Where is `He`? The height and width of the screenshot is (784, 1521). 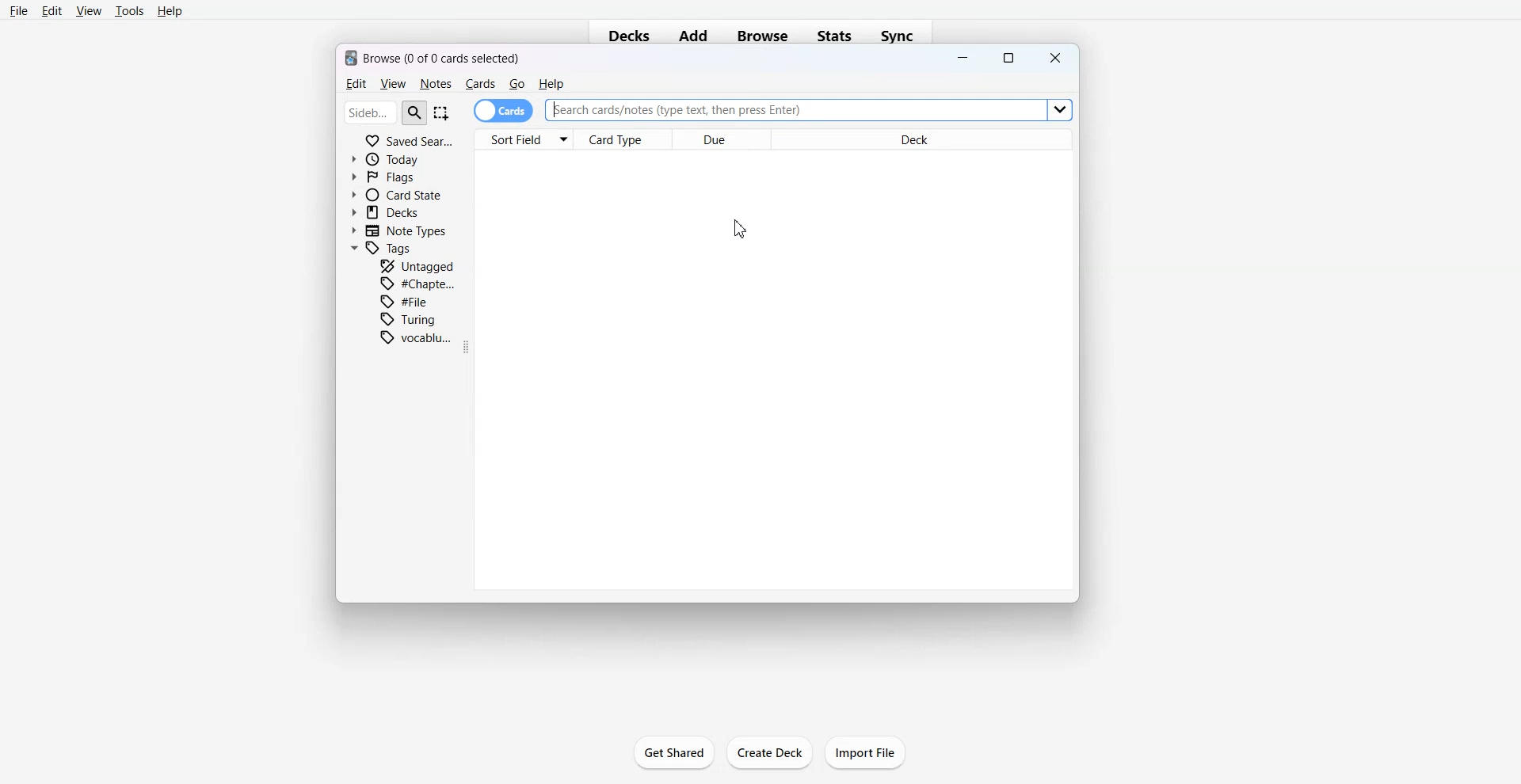
He is located at coordinates (551, 84).